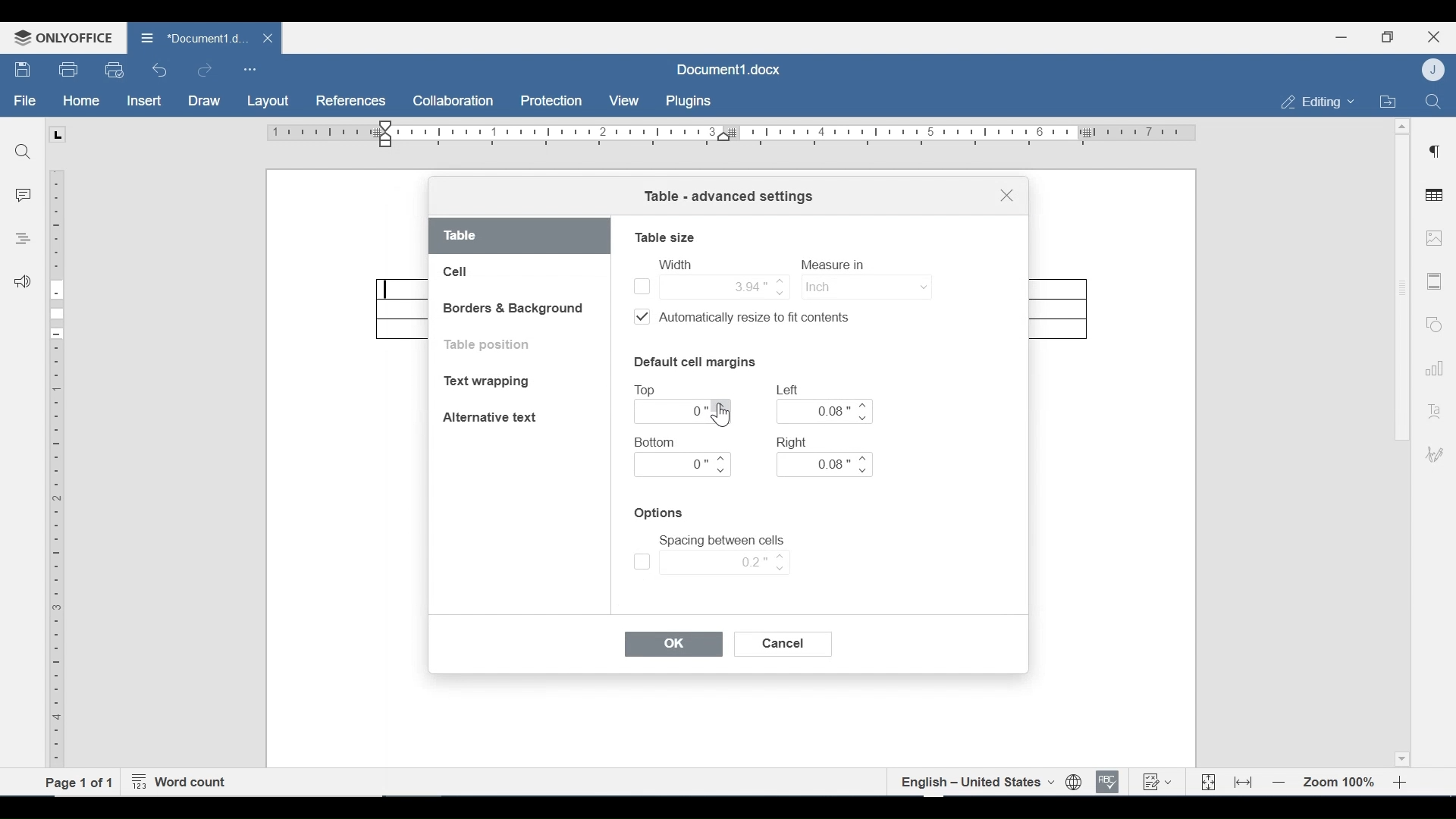  What do you see at coordinates (751, 319) in the screenshot?
I see `Automatically resize to fit contents` at bounding box center [751, 319].